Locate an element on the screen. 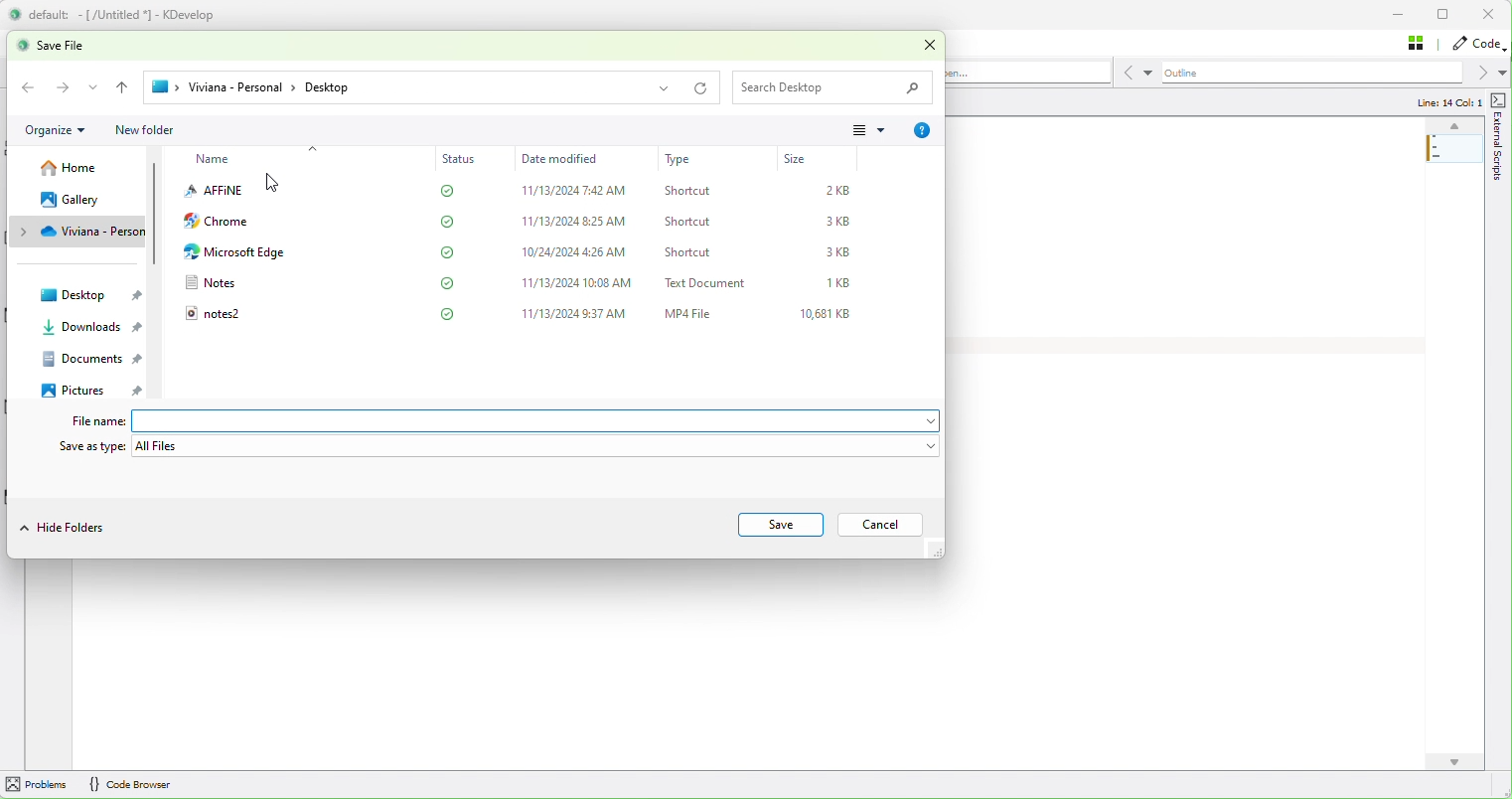  new folder is located at coordinates (144, 131).